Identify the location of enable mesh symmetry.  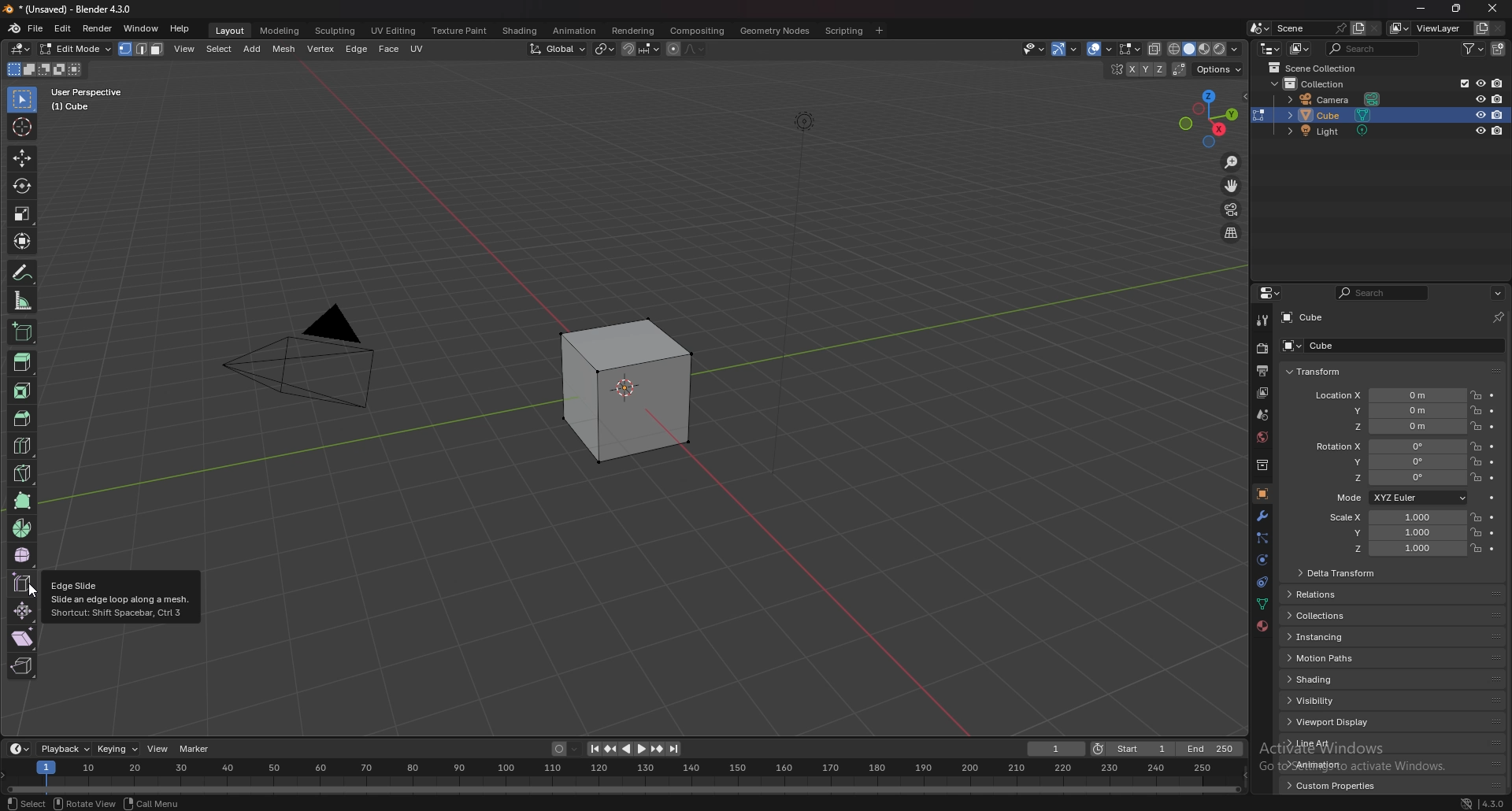
(1137, 70).